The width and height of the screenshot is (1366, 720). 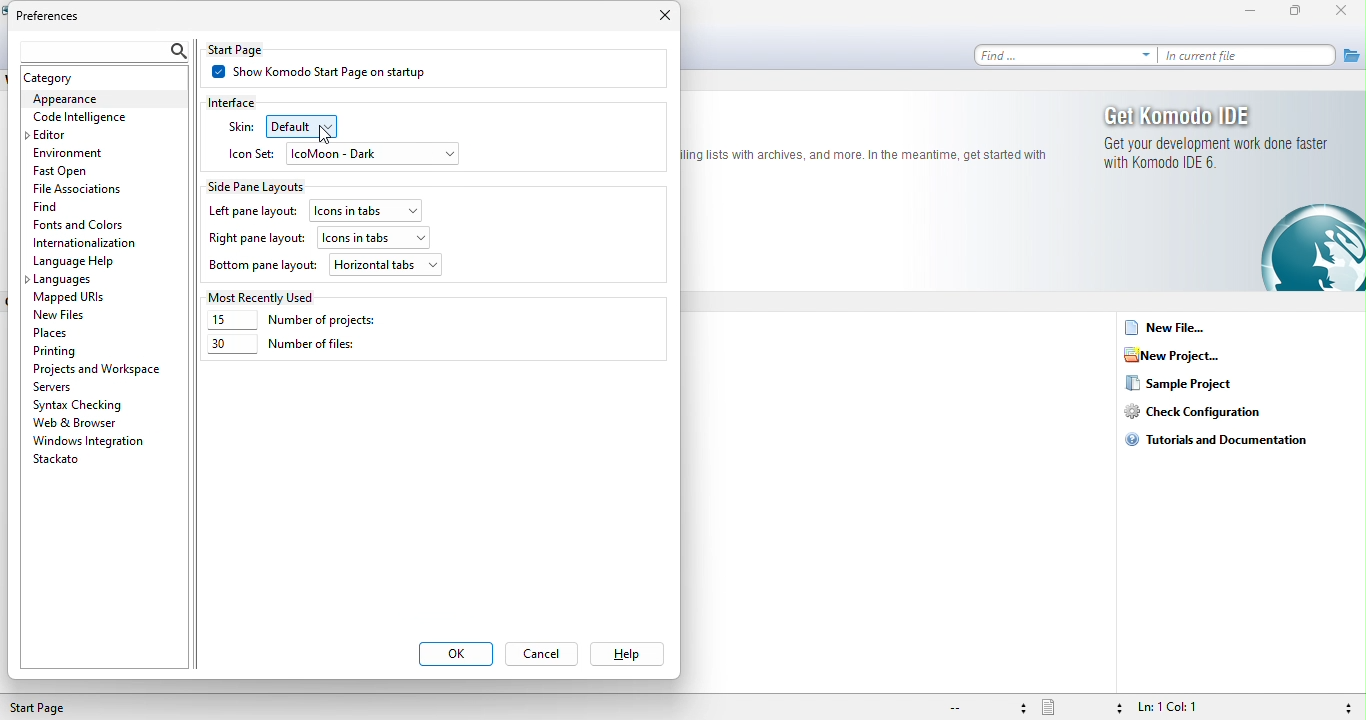 What do you see at coordinates (660, 19) in the screenshot?
I see `close` at bounding box center [660, 19].